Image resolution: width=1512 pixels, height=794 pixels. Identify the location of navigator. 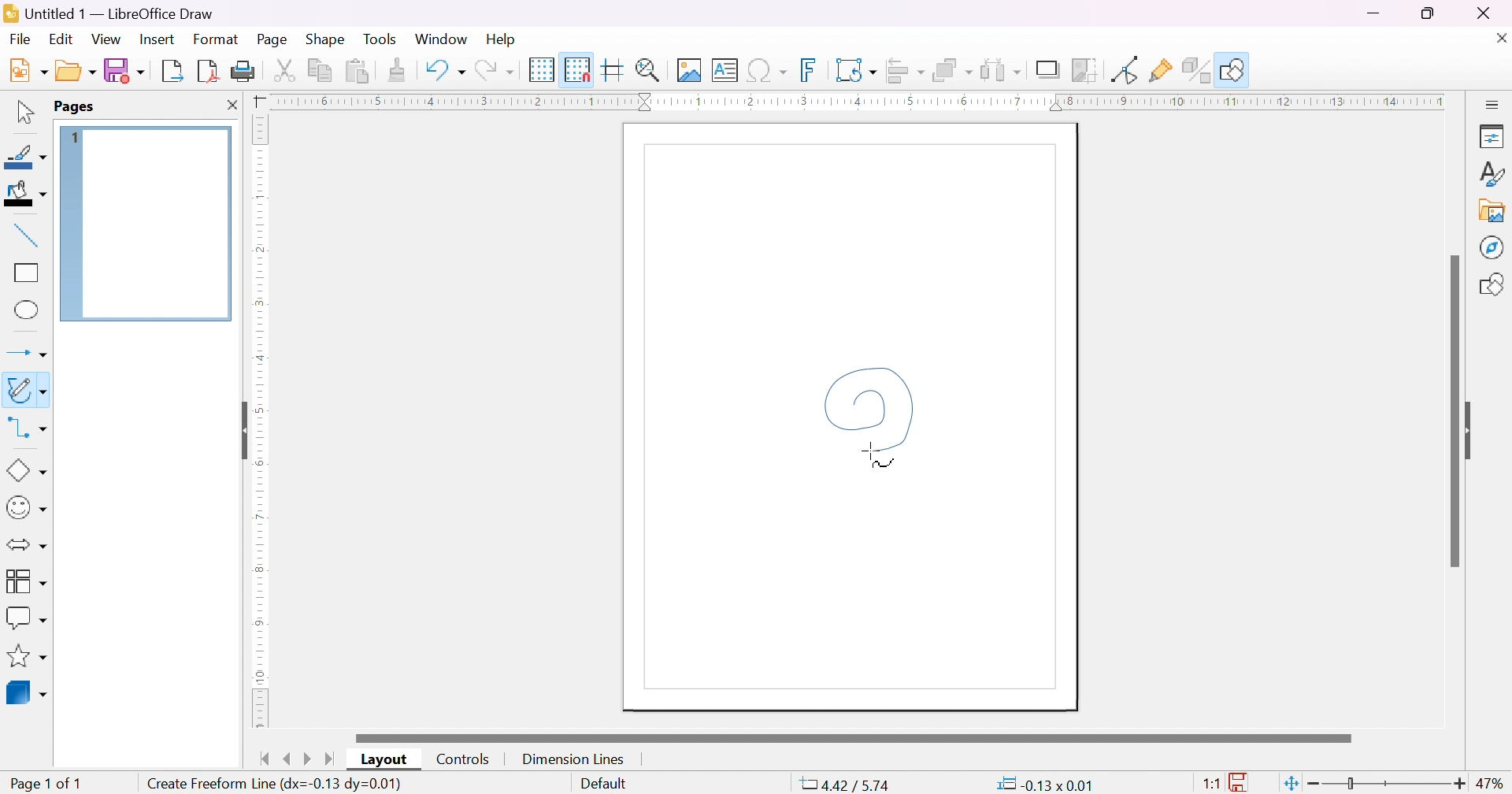
(1493, 247).